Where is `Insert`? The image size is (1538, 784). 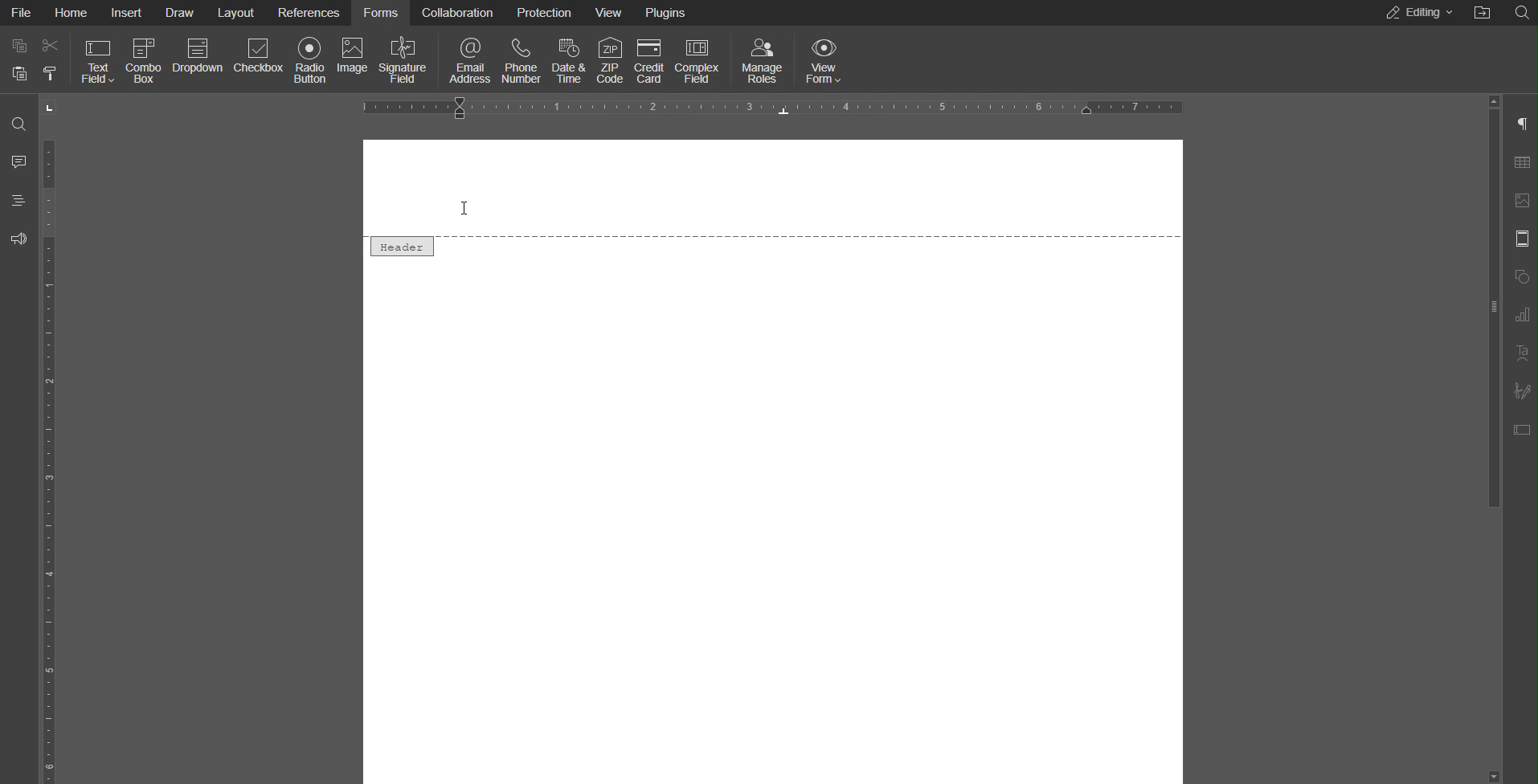
Insert is located at coordinates (128, 13).